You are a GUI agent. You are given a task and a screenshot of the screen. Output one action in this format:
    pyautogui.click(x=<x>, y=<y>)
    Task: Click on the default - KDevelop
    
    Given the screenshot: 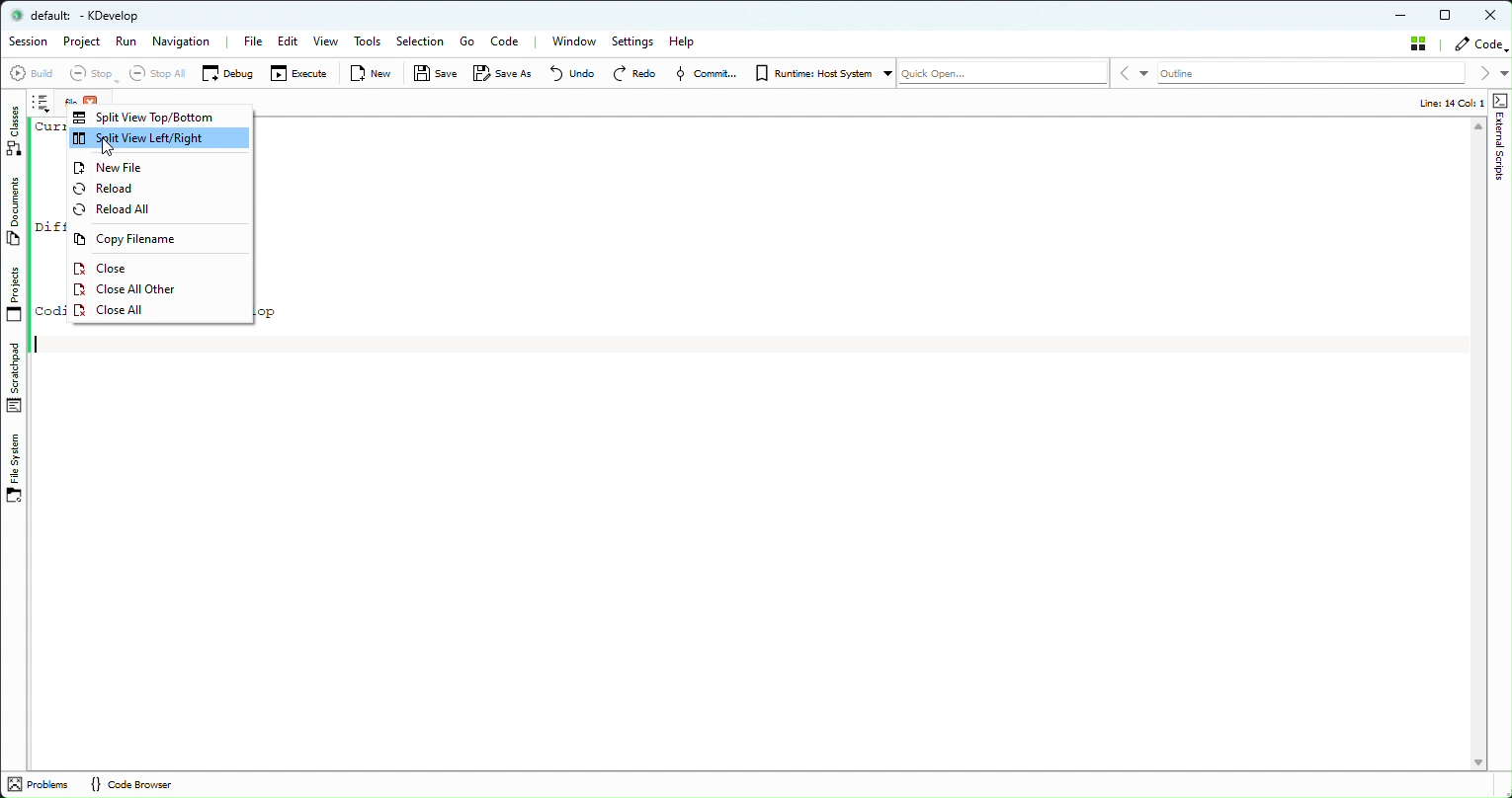 What is the action you would take?
    pyautogui.click(x=85, y=16)
    